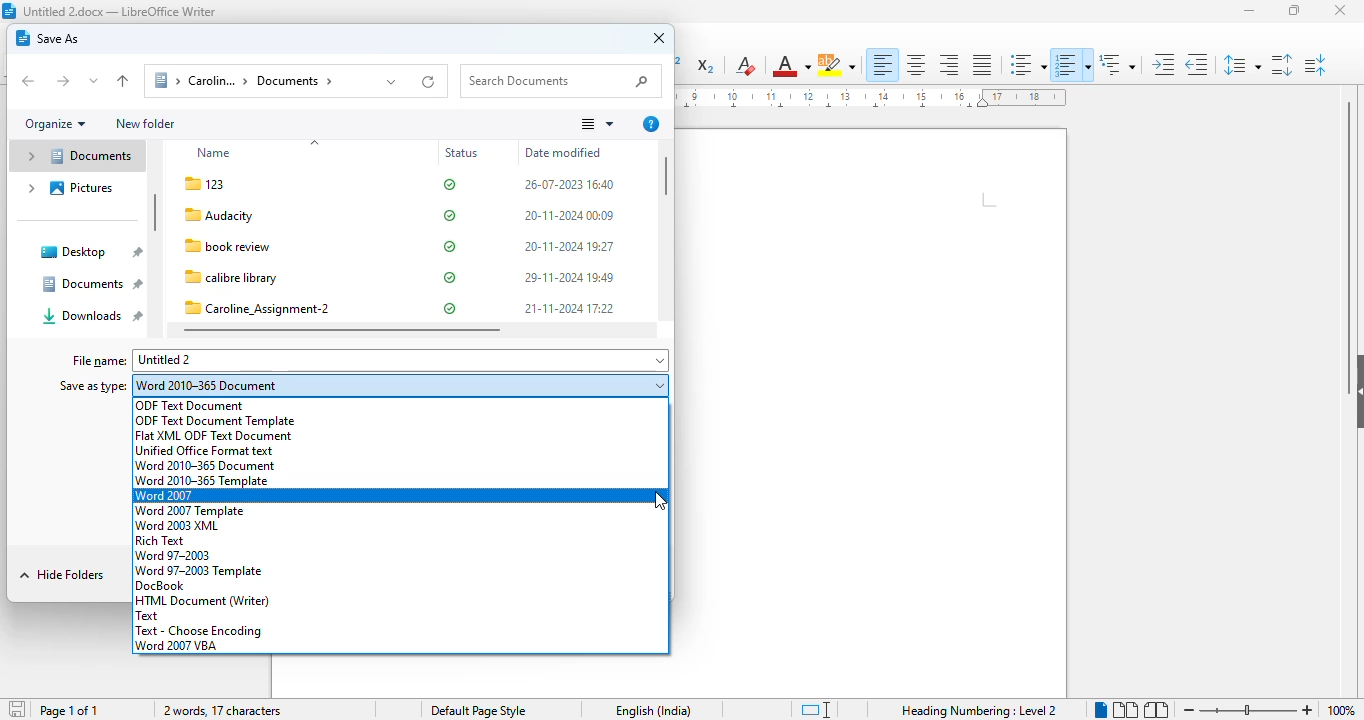  Describe the element at coordinates (199, 632) in the screenshot. I see `text-choose encoding` at that location.